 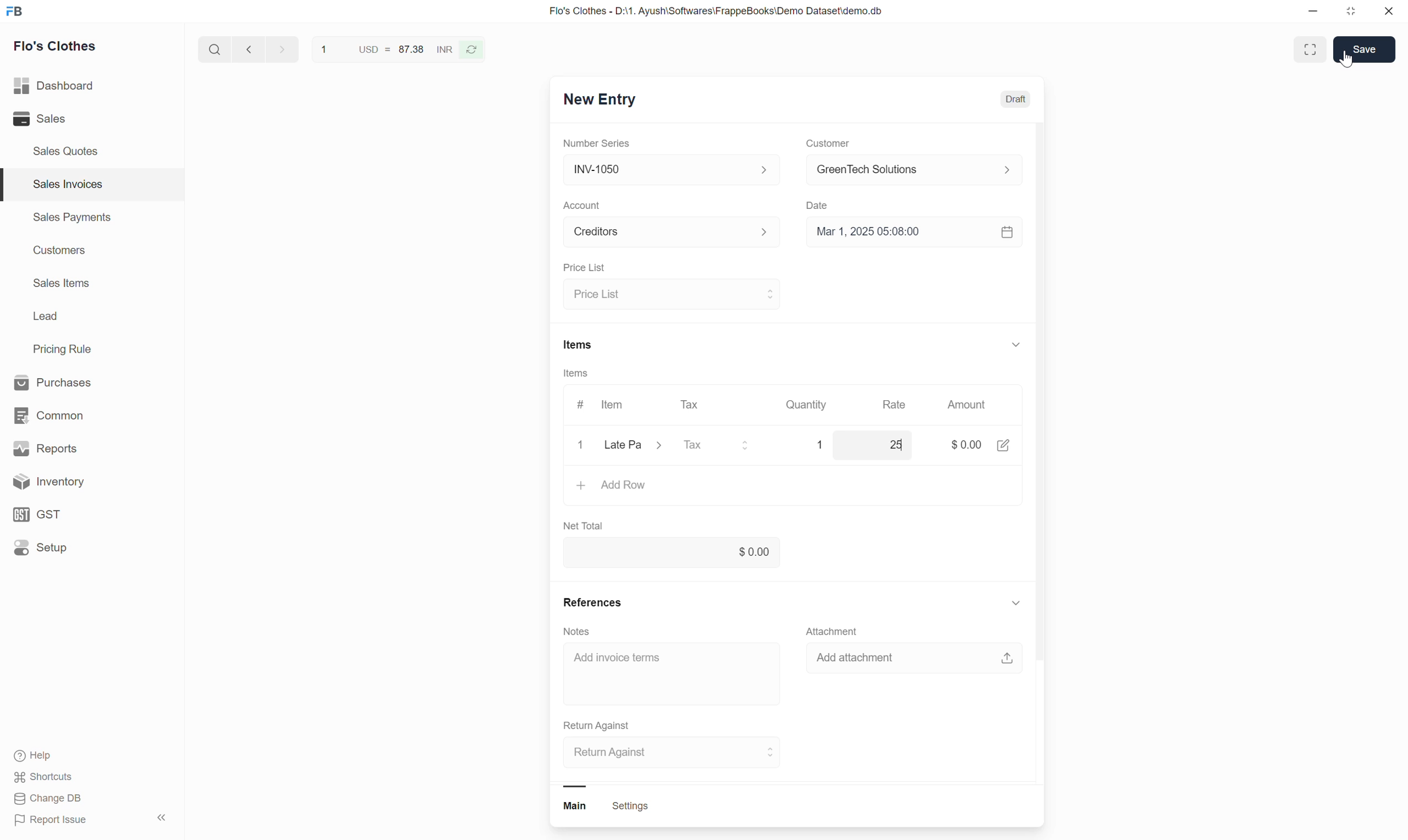 I want to click on Sales Items, so click(x=62, y=284).